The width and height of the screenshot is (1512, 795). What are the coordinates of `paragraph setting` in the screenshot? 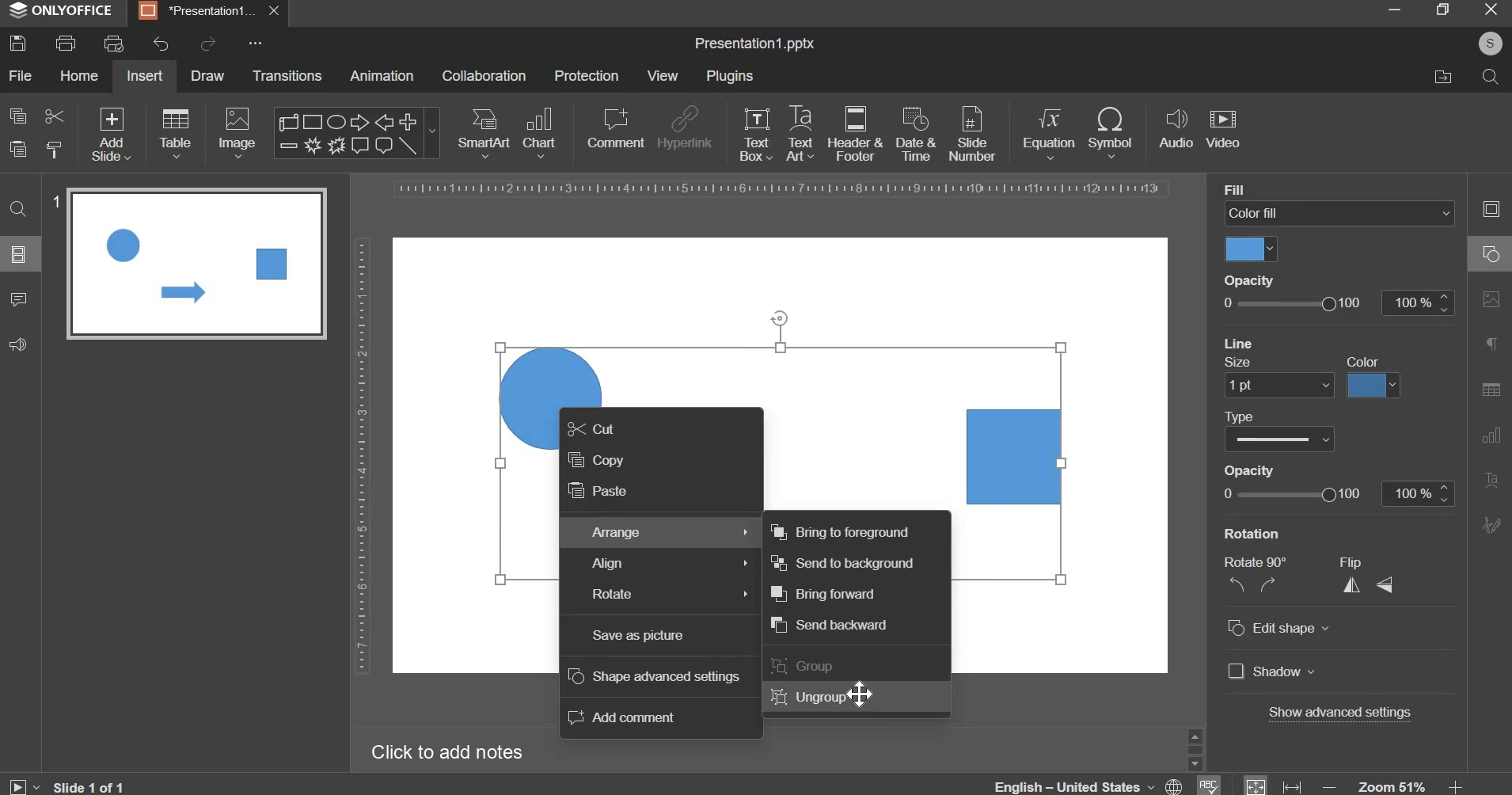 It's located at (1492, 346).